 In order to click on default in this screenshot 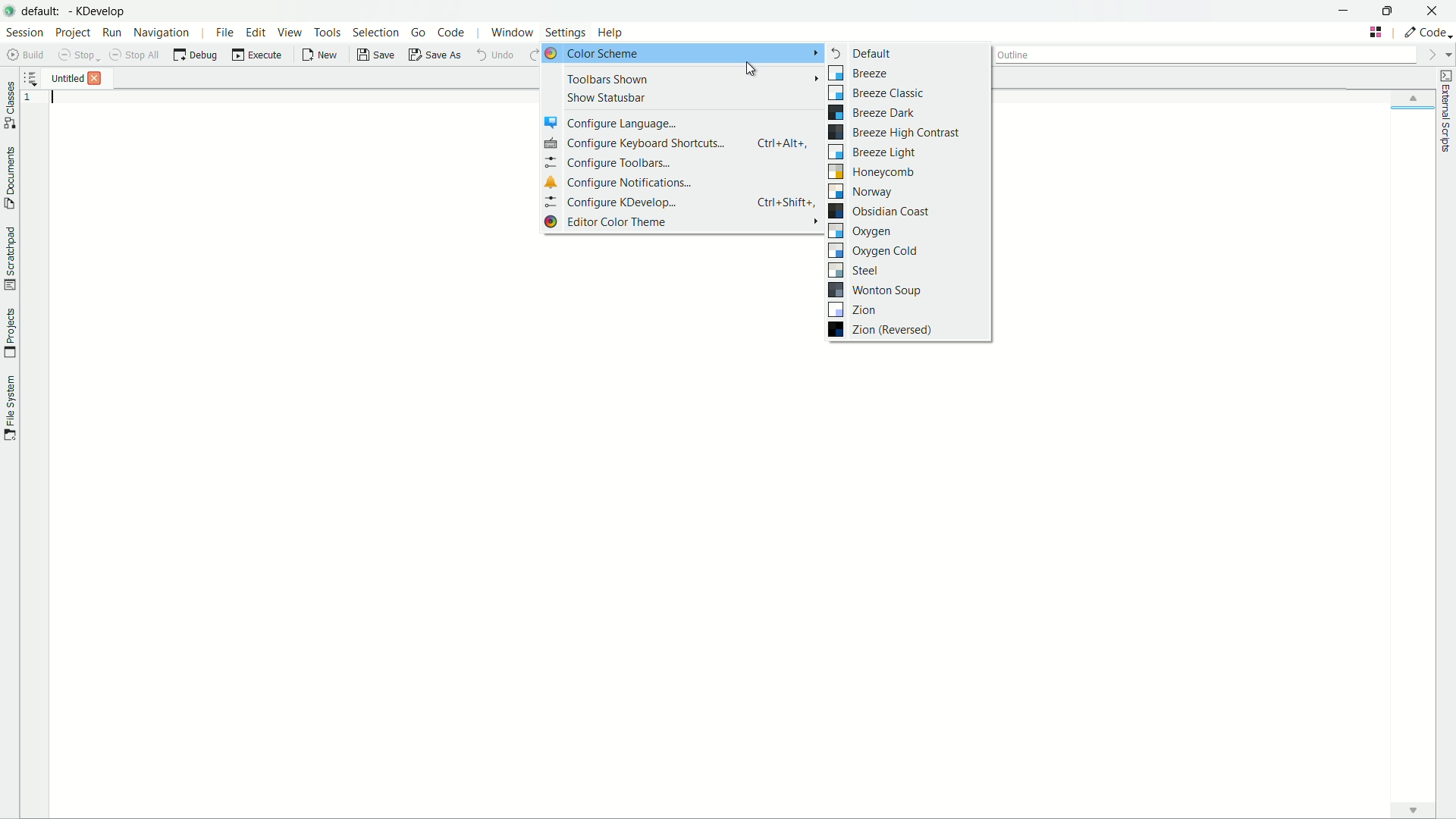, I will do `click(859, 54)`.